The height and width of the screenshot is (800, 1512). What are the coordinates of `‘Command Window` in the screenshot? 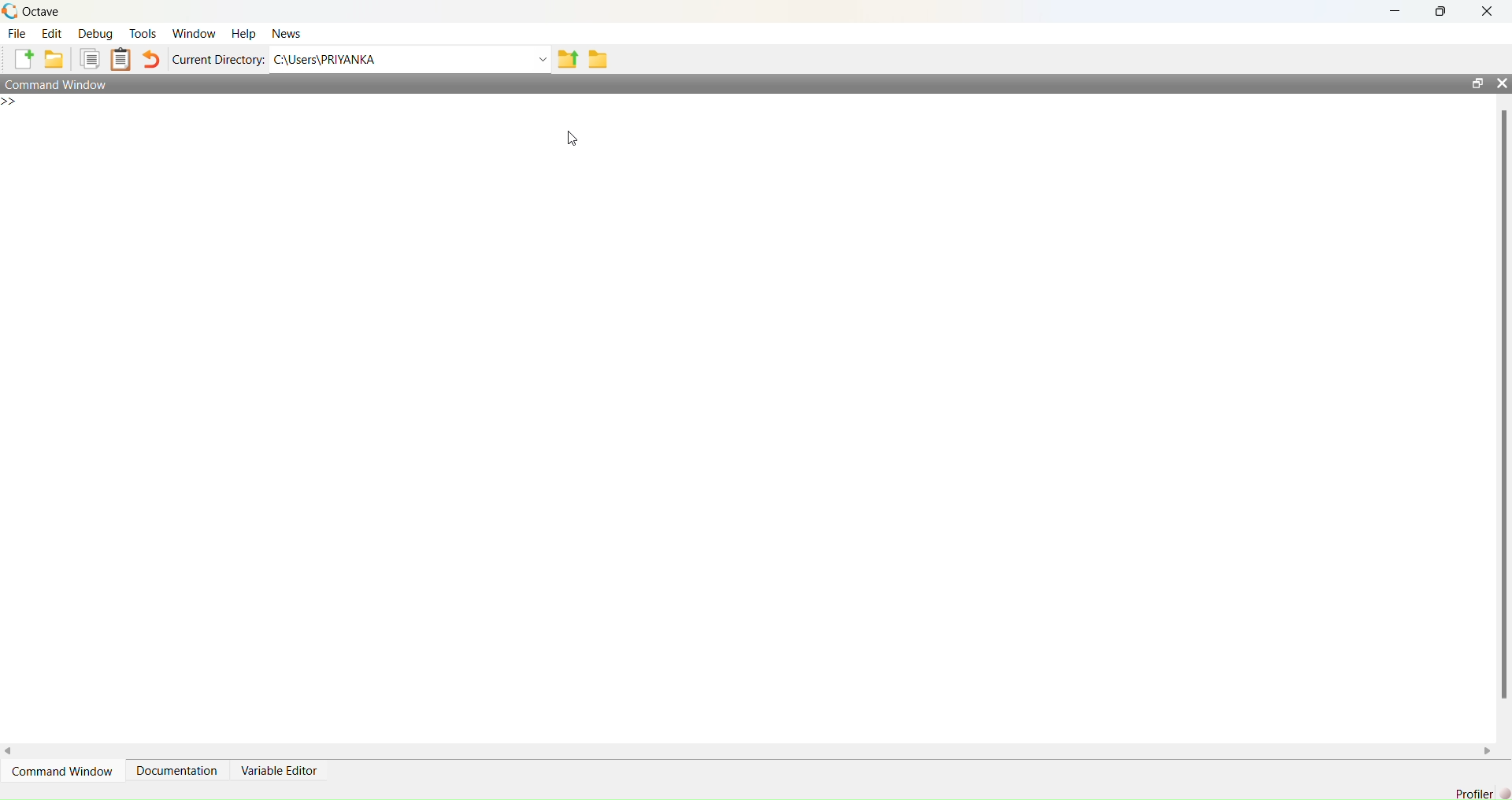 It's located at (63, 770).